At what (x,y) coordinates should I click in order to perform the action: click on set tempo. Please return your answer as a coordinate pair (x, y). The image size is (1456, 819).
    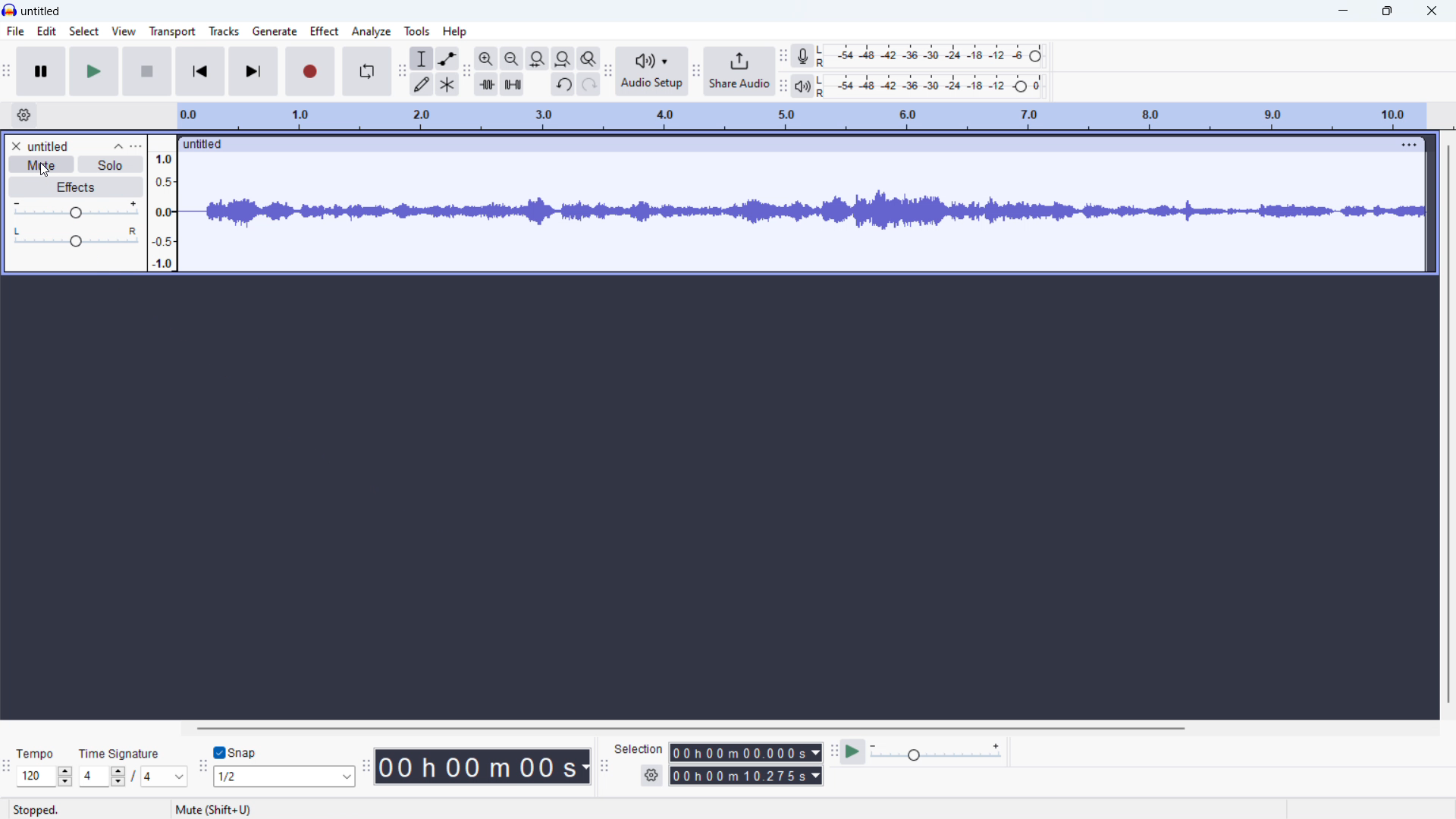
    Looking at the image, I should click on (44, 777).